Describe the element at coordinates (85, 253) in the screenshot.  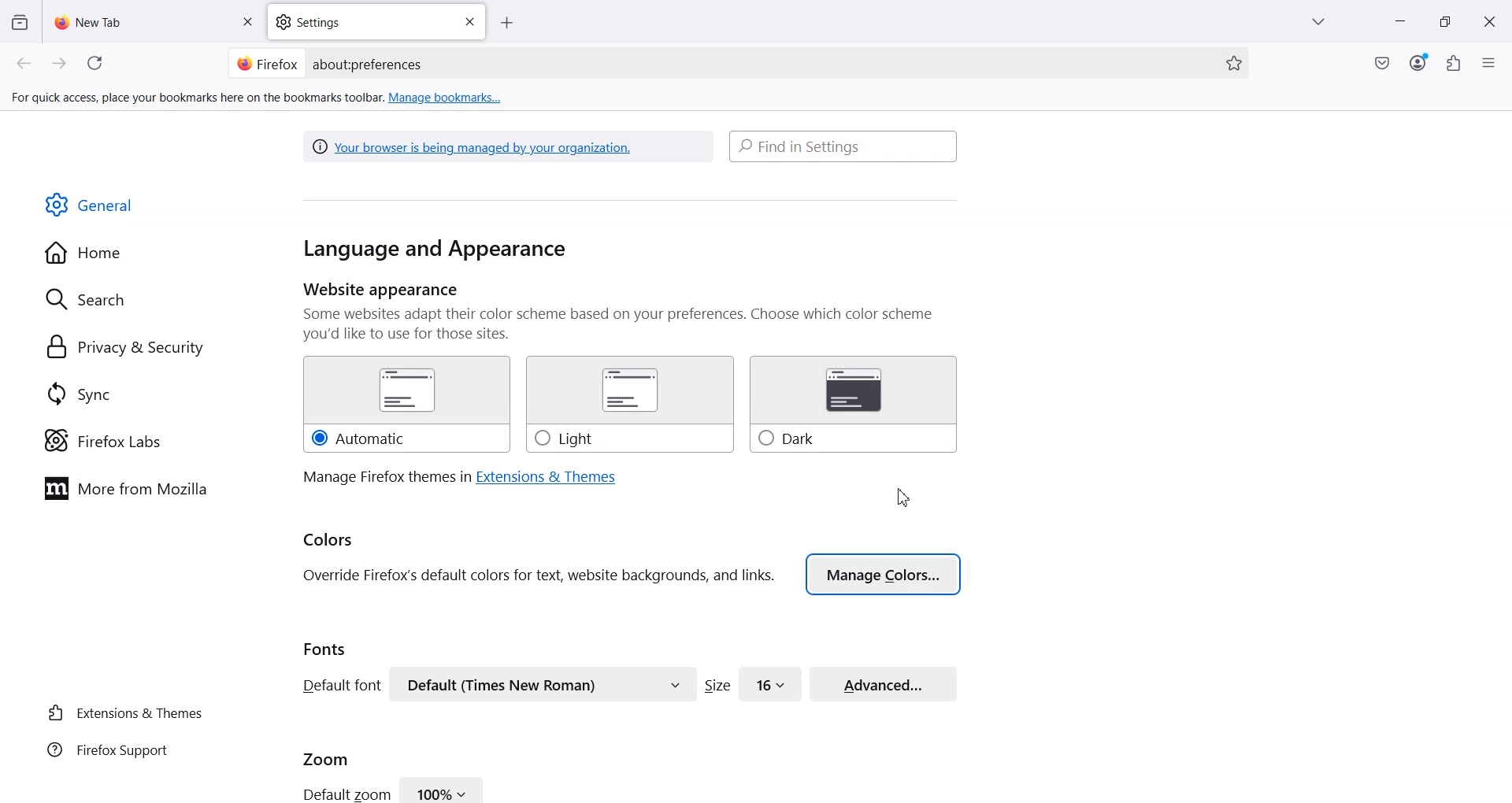
I see `o Home` at that location.